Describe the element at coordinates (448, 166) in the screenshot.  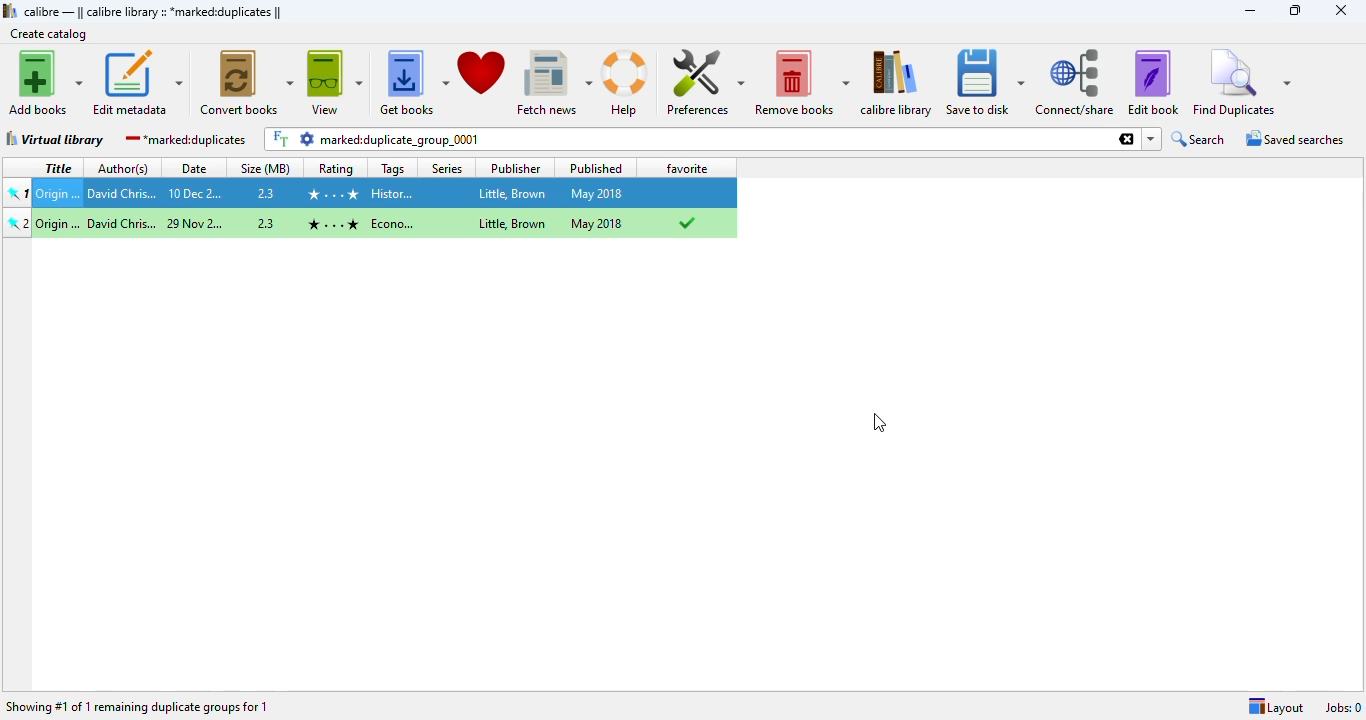
I see `series` at that location.